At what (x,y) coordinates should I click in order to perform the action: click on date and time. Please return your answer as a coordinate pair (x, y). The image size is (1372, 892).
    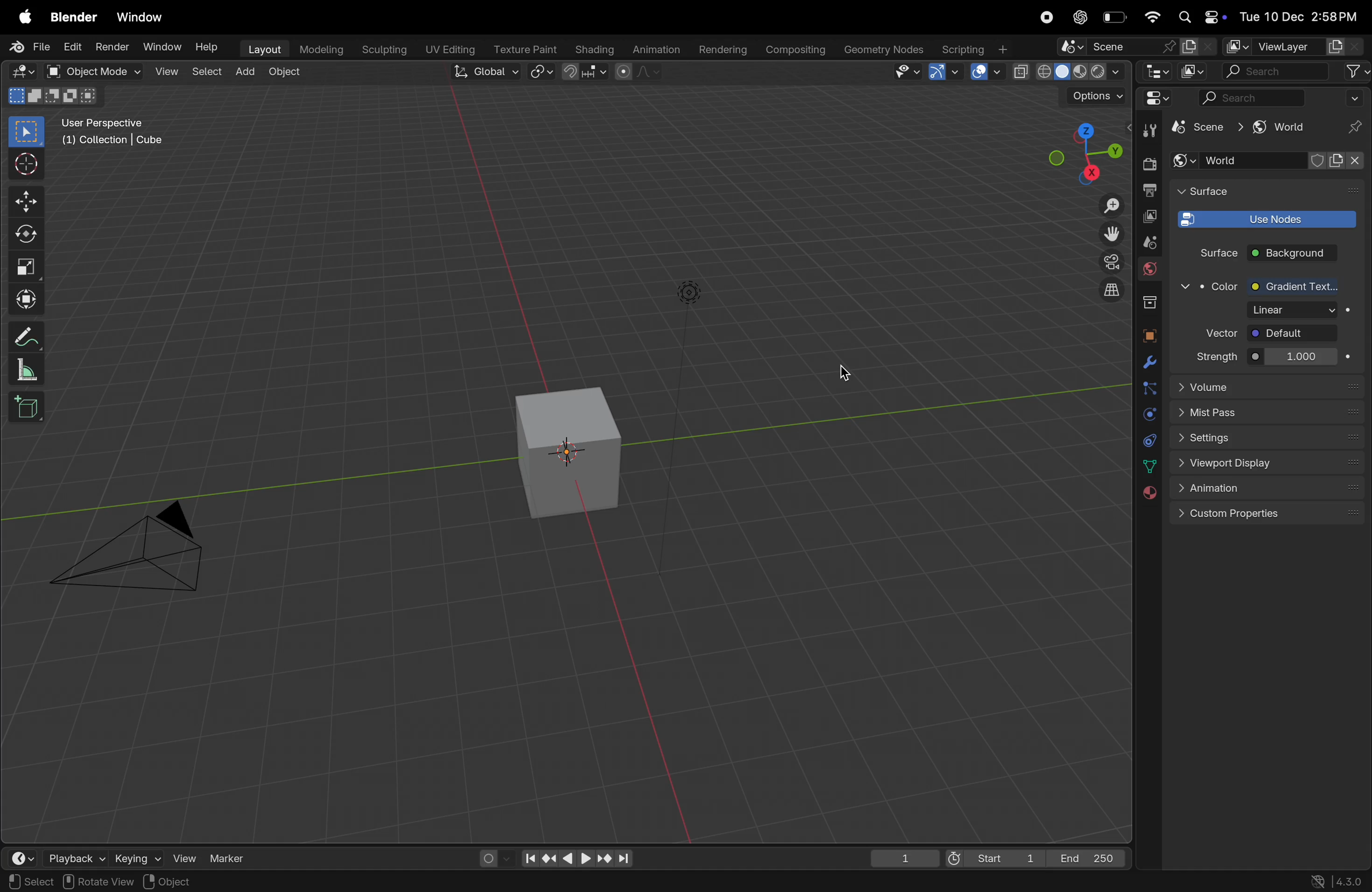
    Looking at the image, I should click on (1303, 17).